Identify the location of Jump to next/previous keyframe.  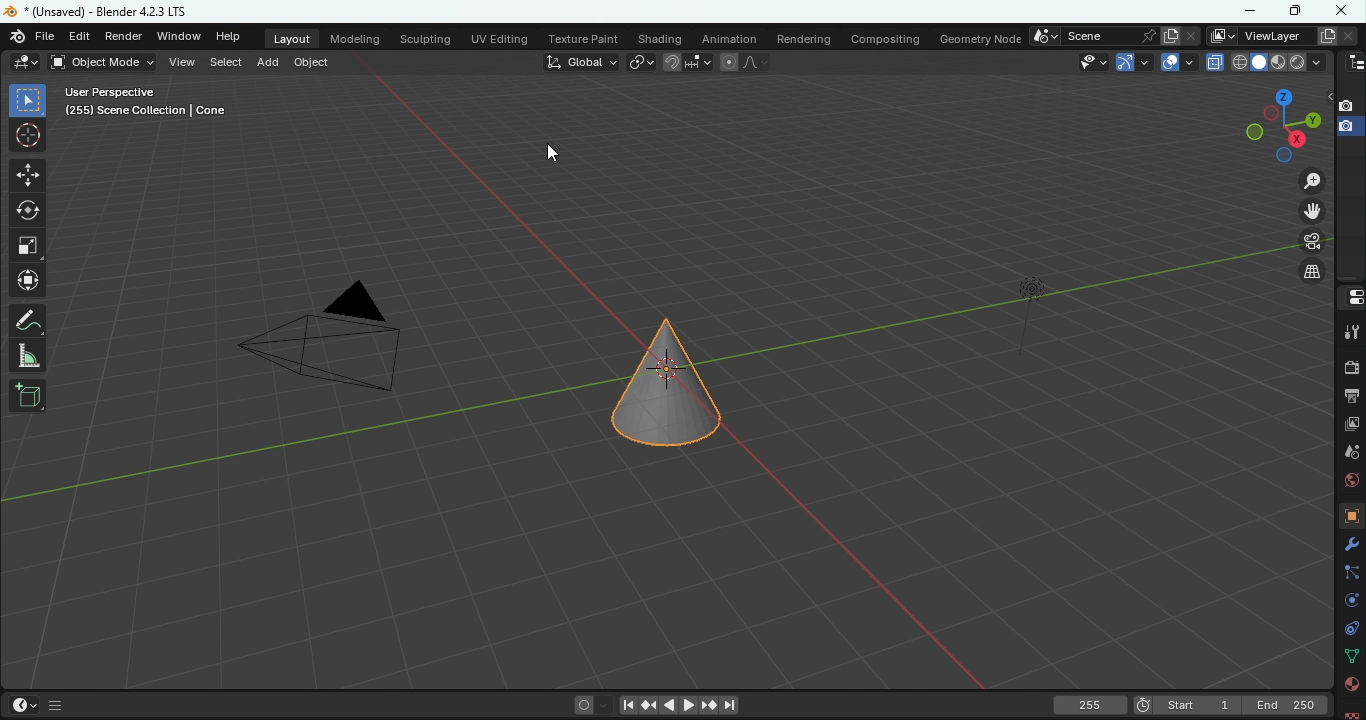
(649, 705).